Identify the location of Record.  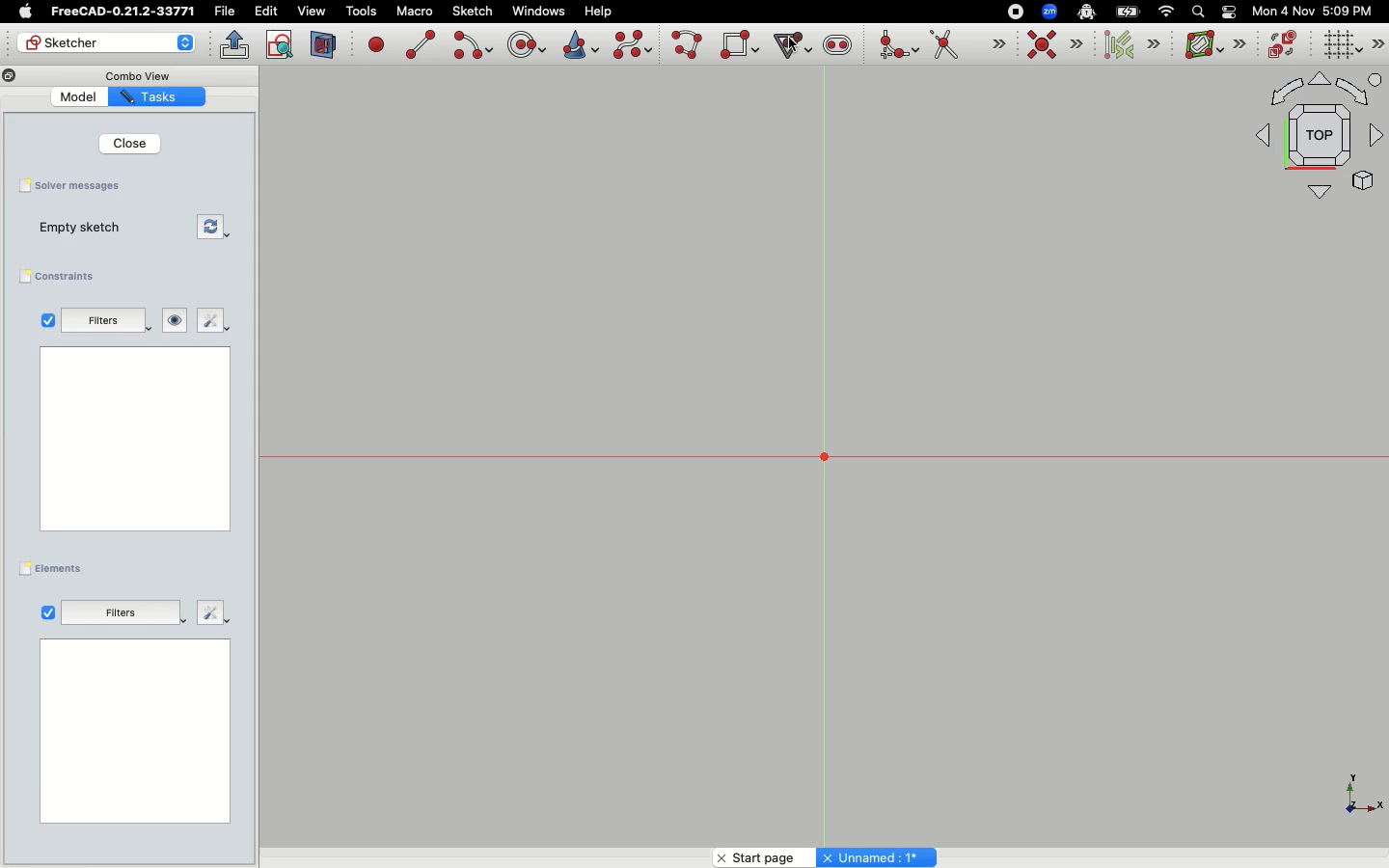
(1011, 11).